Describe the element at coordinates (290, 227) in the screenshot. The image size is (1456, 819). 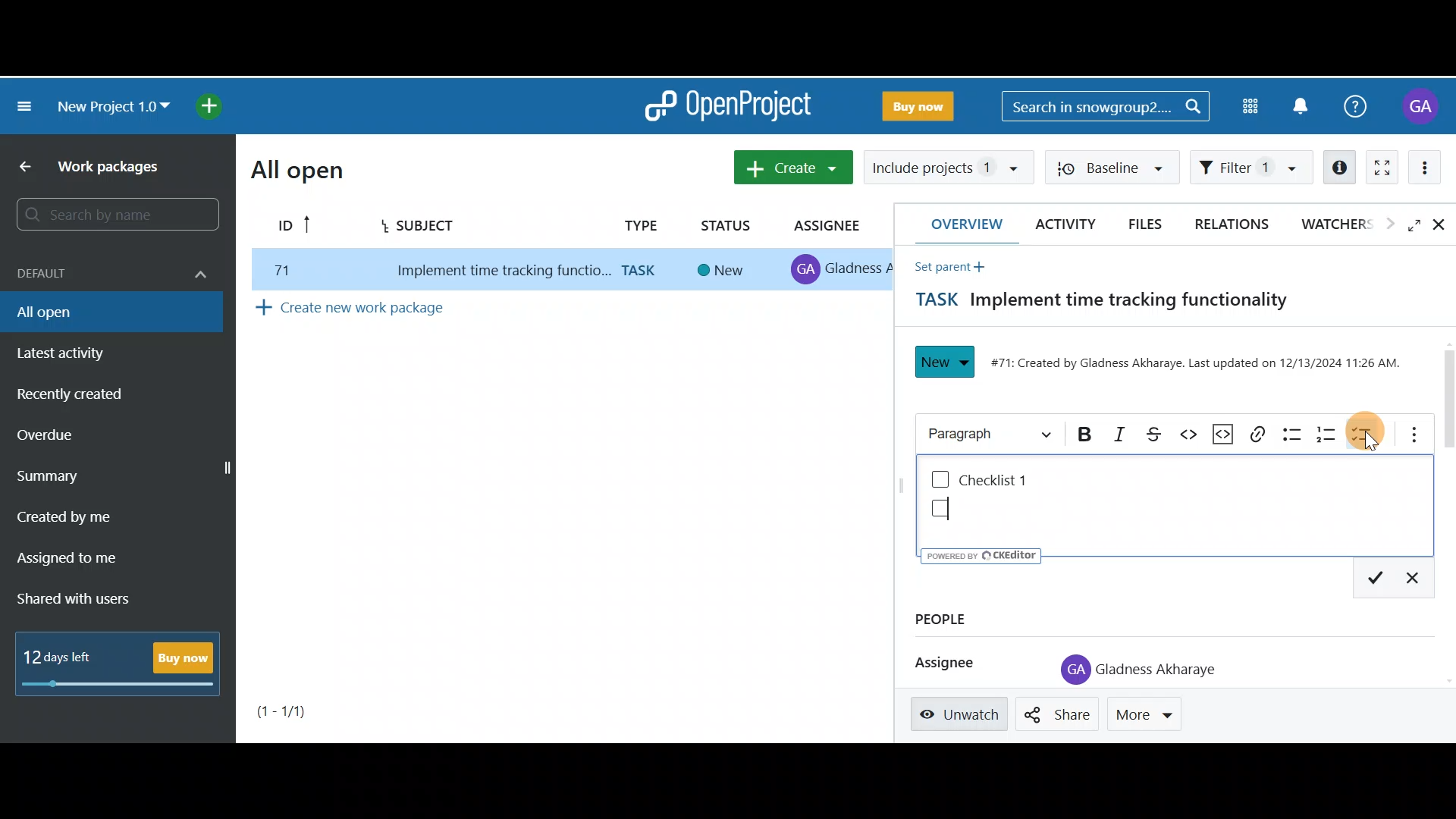
I see `ID` at that location.